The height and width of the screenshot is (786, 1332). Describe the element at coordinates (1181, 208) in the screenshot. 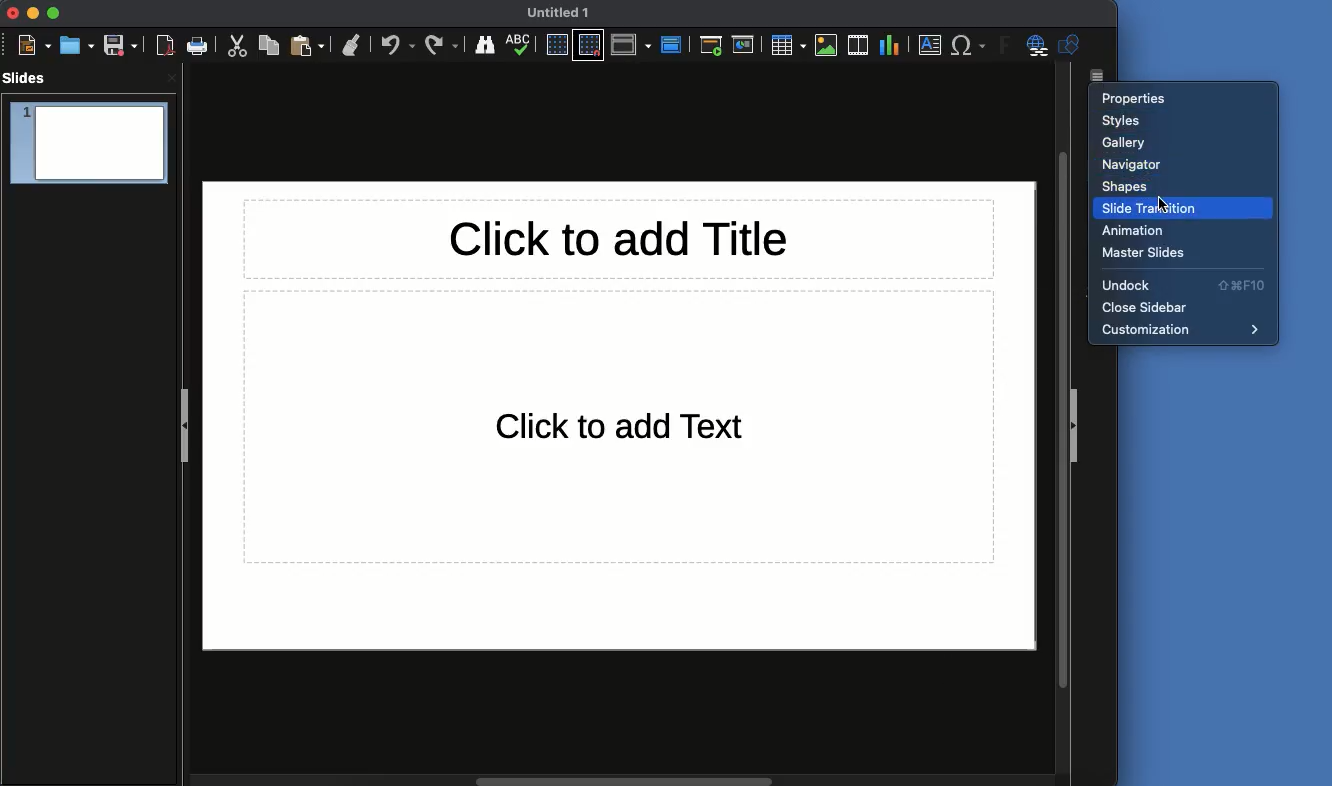

I see `Slide tradition` at that location.